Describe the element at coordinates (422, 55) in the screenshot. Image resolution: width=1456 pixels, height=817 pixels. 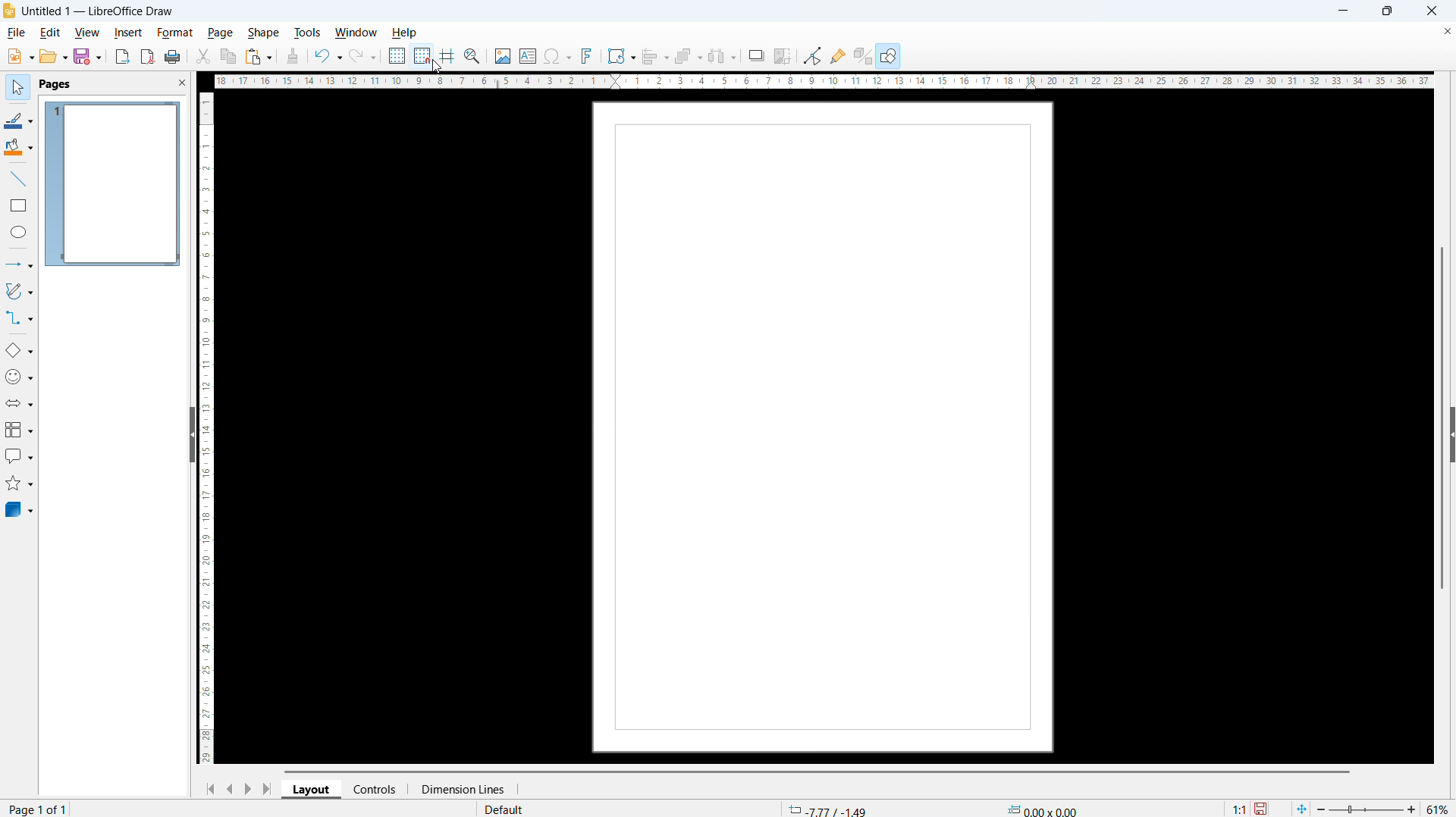
I see `Snap to grid ` at that location.